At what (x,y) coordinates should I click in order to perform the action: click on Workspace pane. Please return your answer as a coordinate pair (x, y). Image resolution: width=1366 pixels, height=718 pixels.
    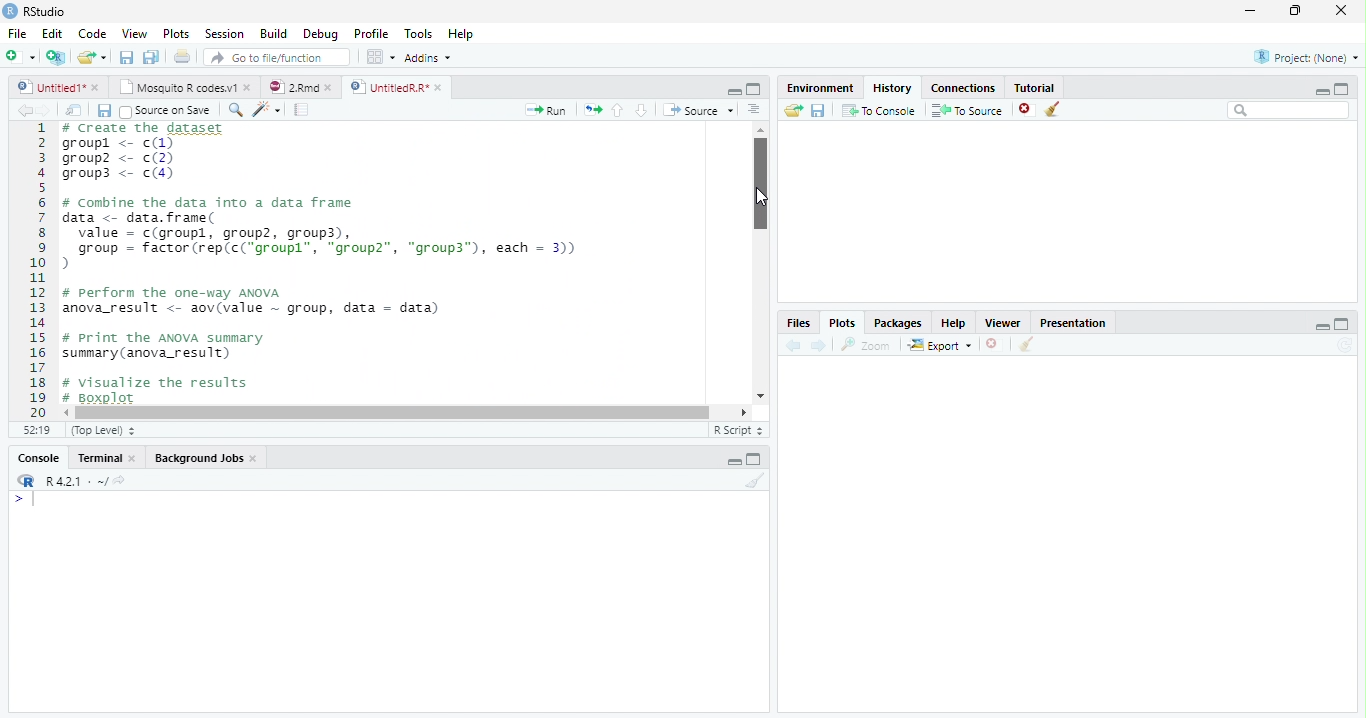
    Looking at the image, I should click on (379, 56).